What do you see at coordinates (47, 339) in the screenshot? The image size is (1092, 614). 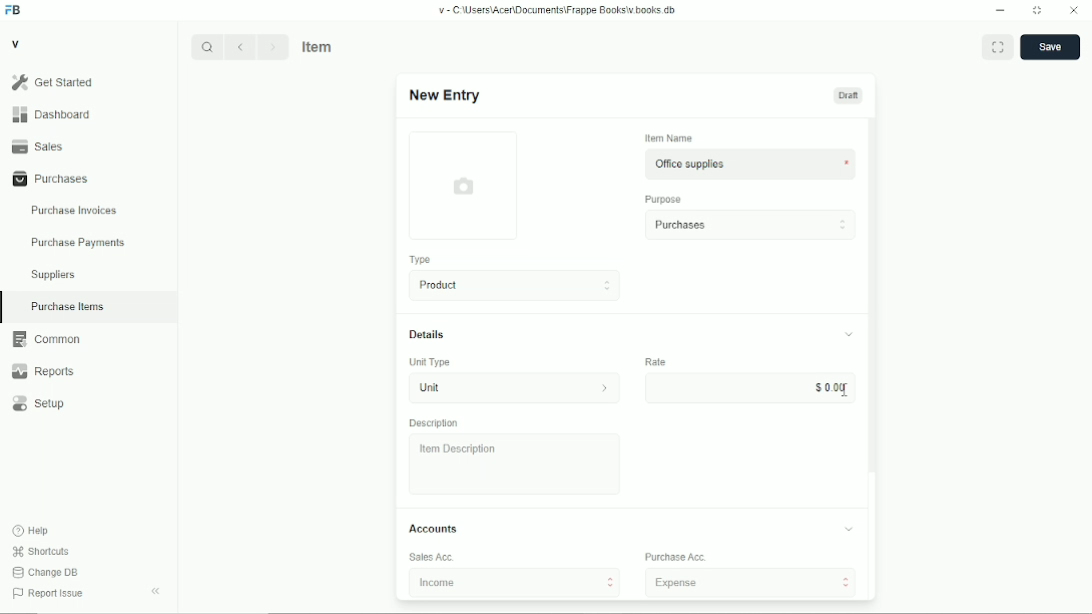 I see `common` at bounding box center [47, 339].